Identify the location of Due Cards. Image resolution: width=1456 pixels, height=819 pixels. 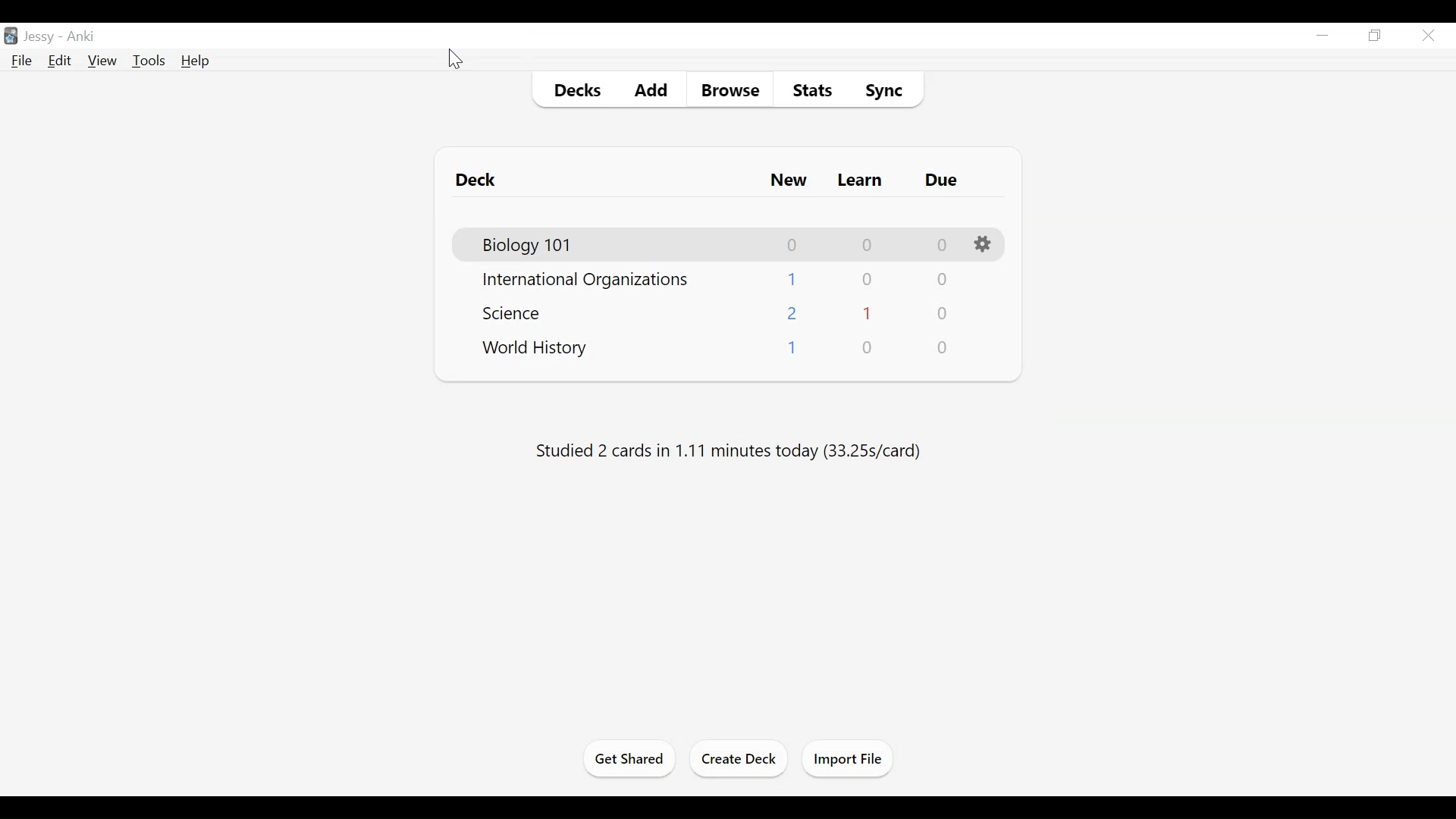
(940, 180).